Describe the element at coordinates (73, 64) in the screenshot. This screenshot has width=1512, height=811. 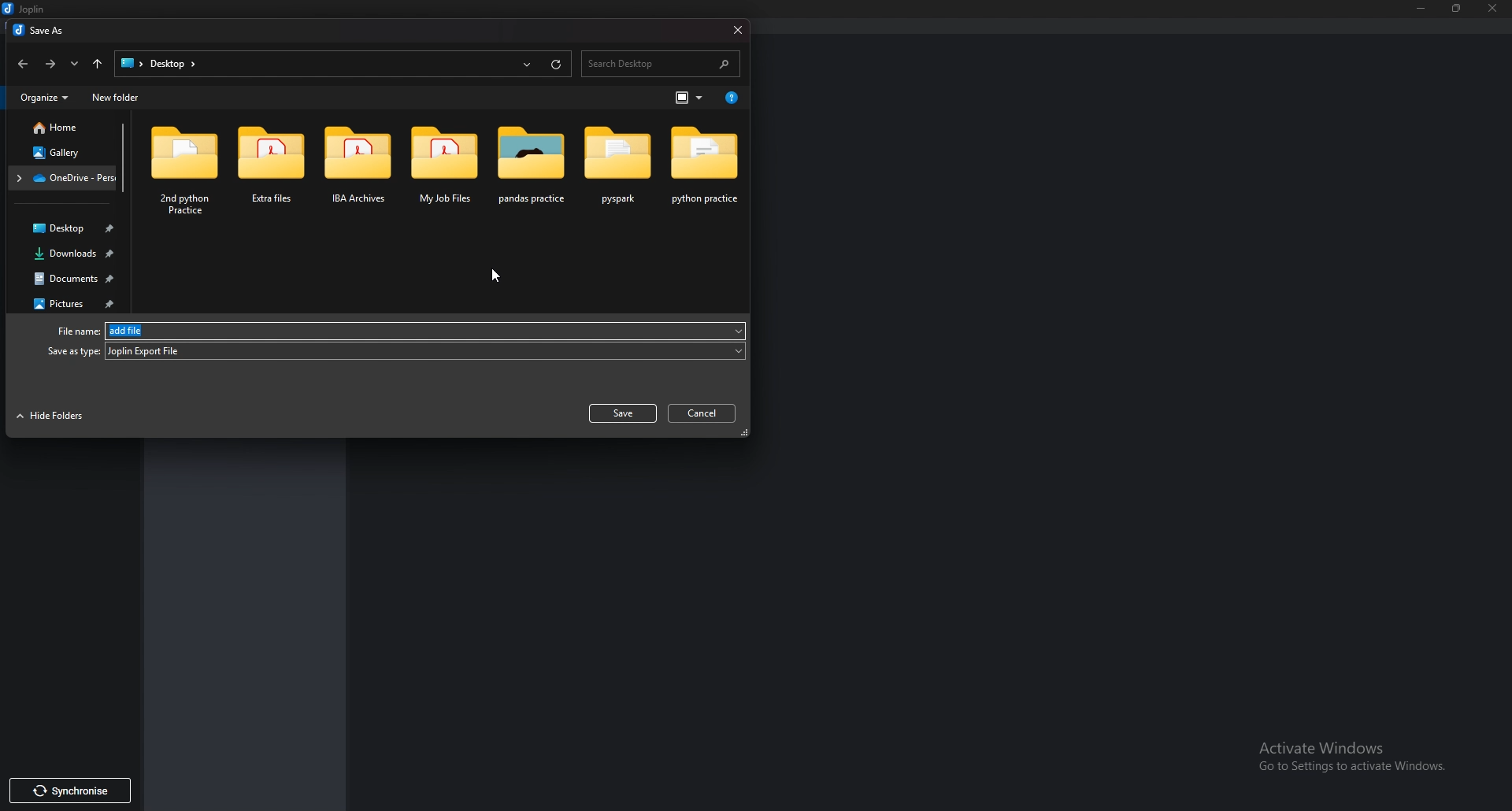
I see `Recent` at that location.